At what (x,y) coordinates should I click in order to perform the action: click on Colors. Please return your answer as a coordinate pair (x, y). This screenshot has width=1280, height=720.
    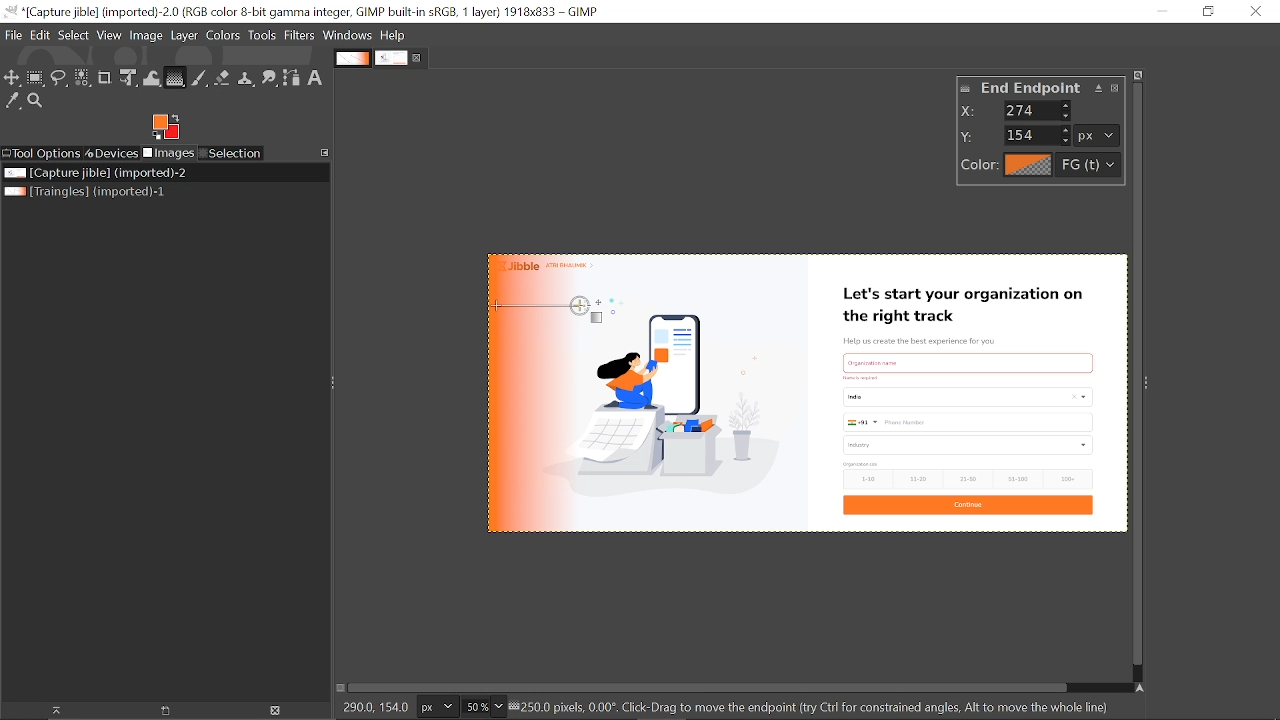
    Looking at the image, I should click on (225, 36).